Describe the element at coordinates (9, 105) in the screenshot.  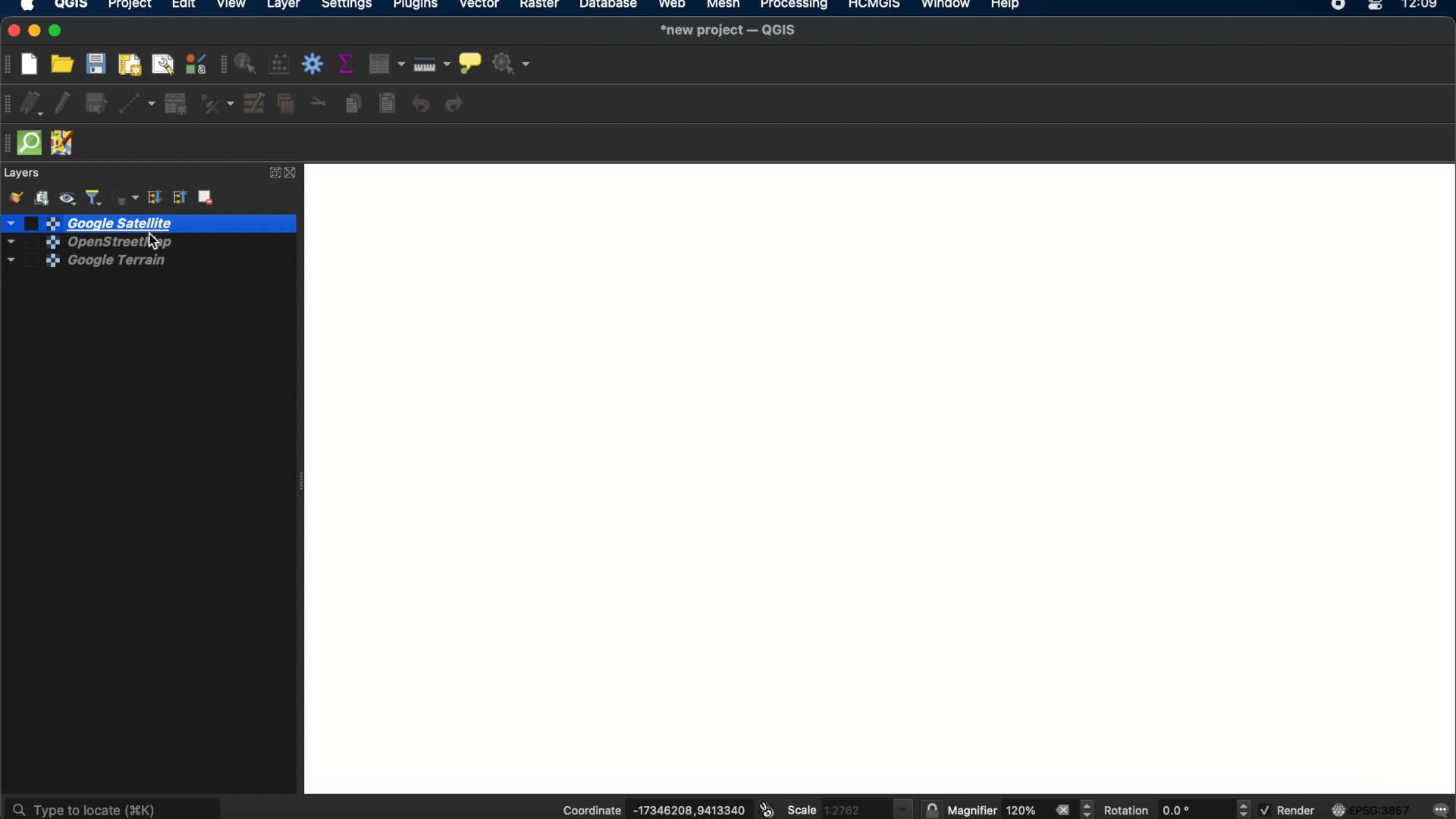
I see `digitizing toolbar` at that location.